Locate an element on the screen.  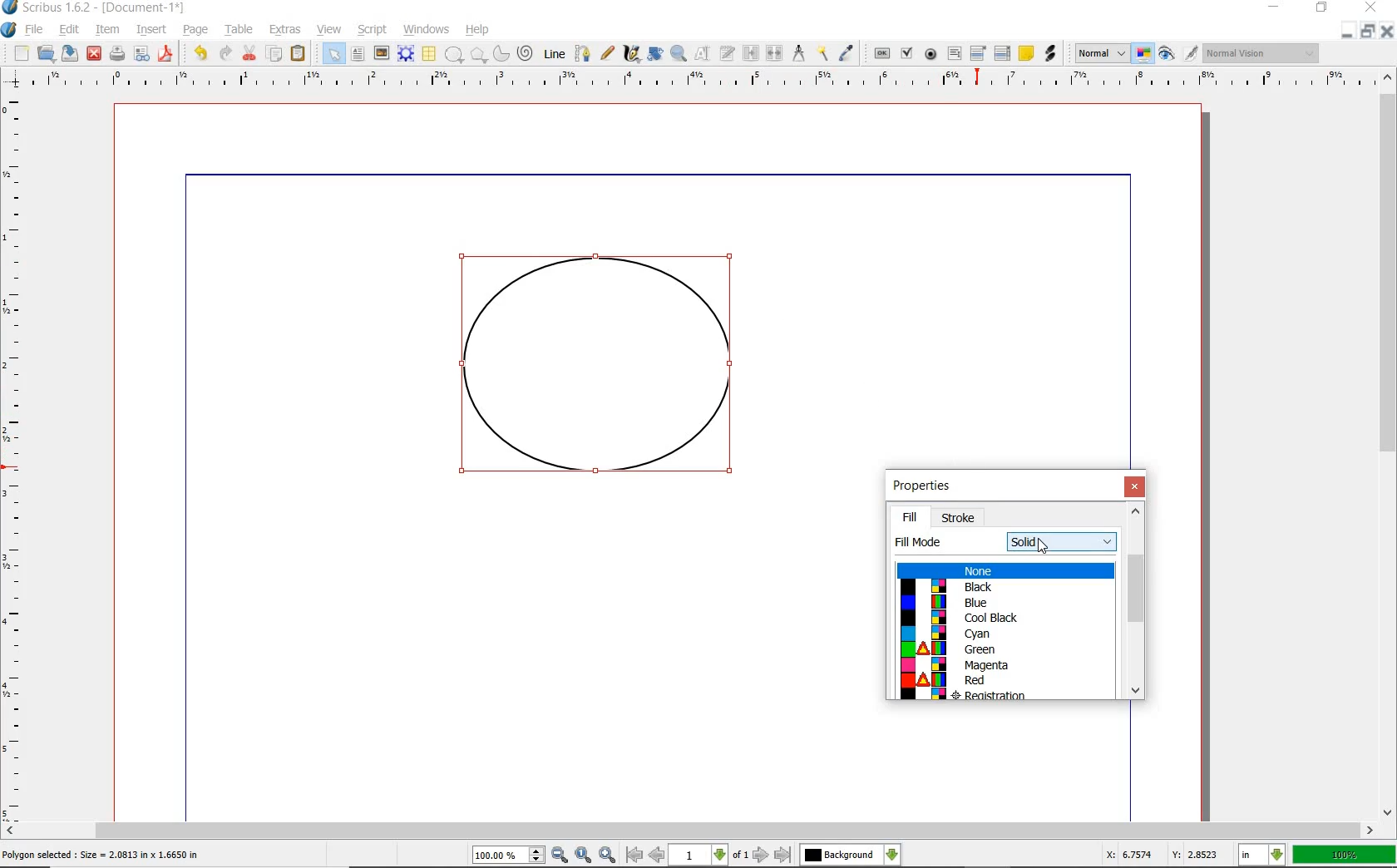
properties is located at coordinates (938, 486).